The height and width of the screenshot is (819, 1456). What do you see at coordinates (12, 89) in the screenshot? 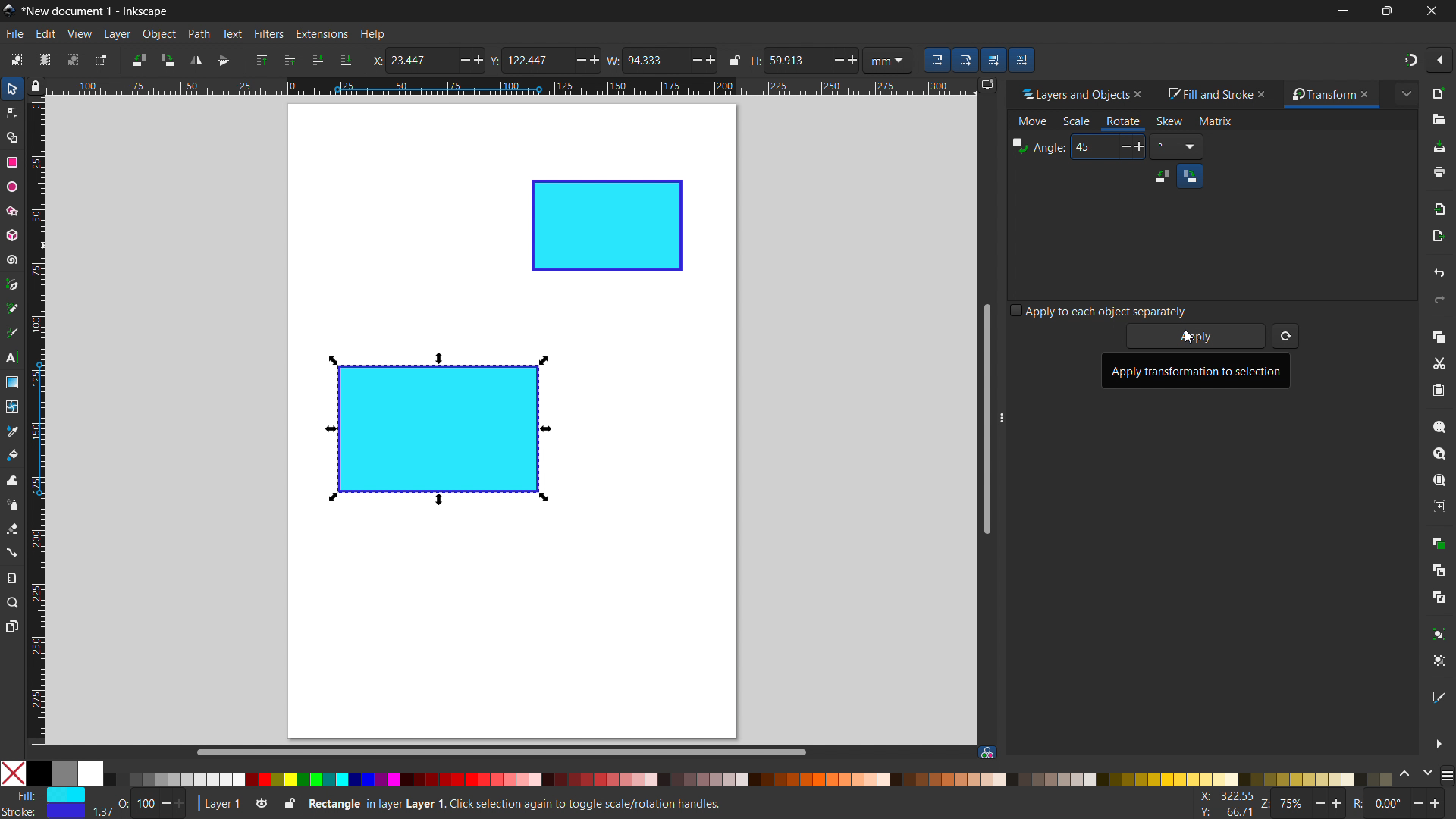
I see `selector tool` at bounding box center [12, 89].